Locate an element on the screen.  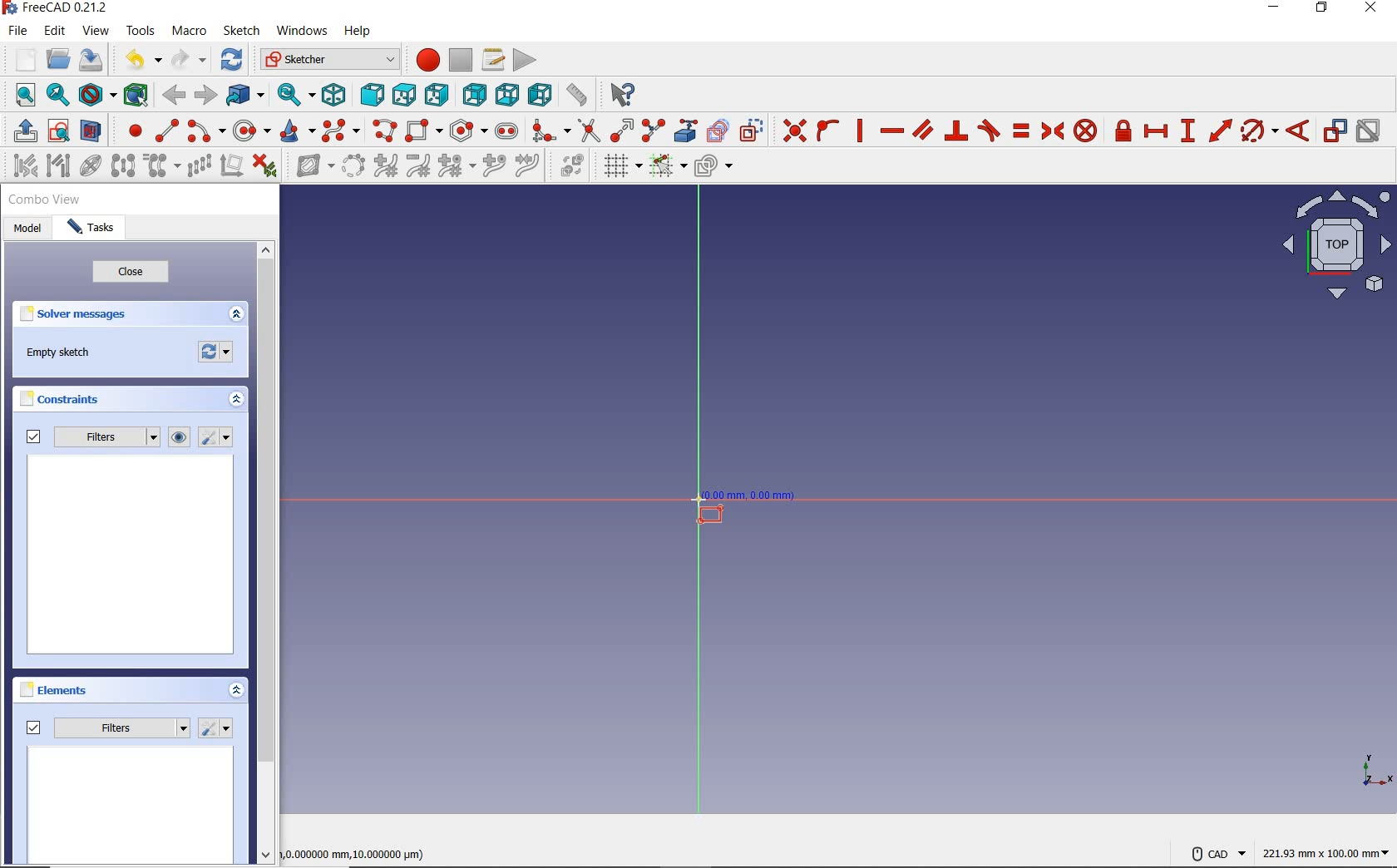
create slot is located at coordinates (507, 132).